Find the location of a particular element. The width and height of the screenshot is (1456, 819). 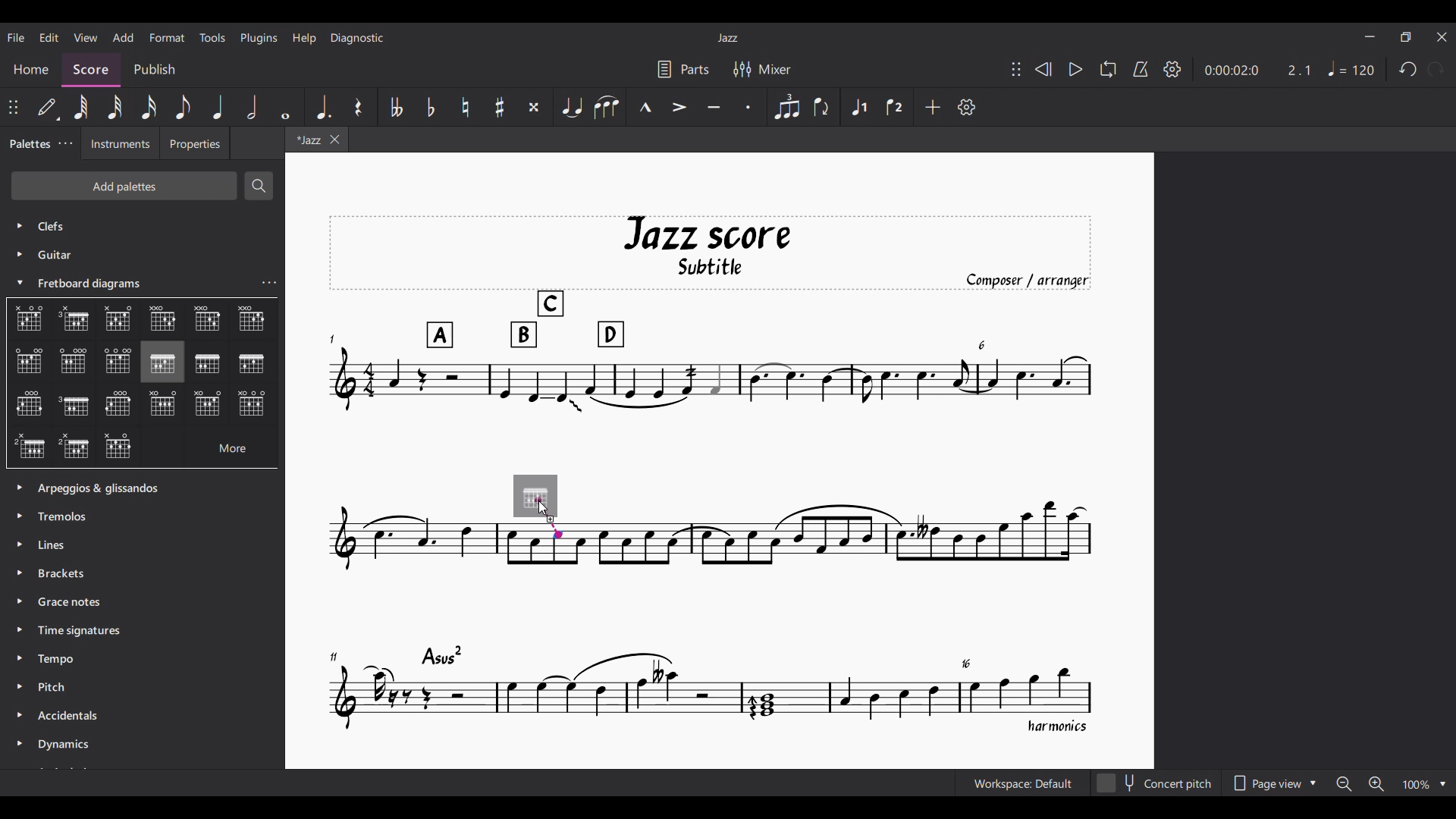

Chart5 is located at coordinates (252, 319).